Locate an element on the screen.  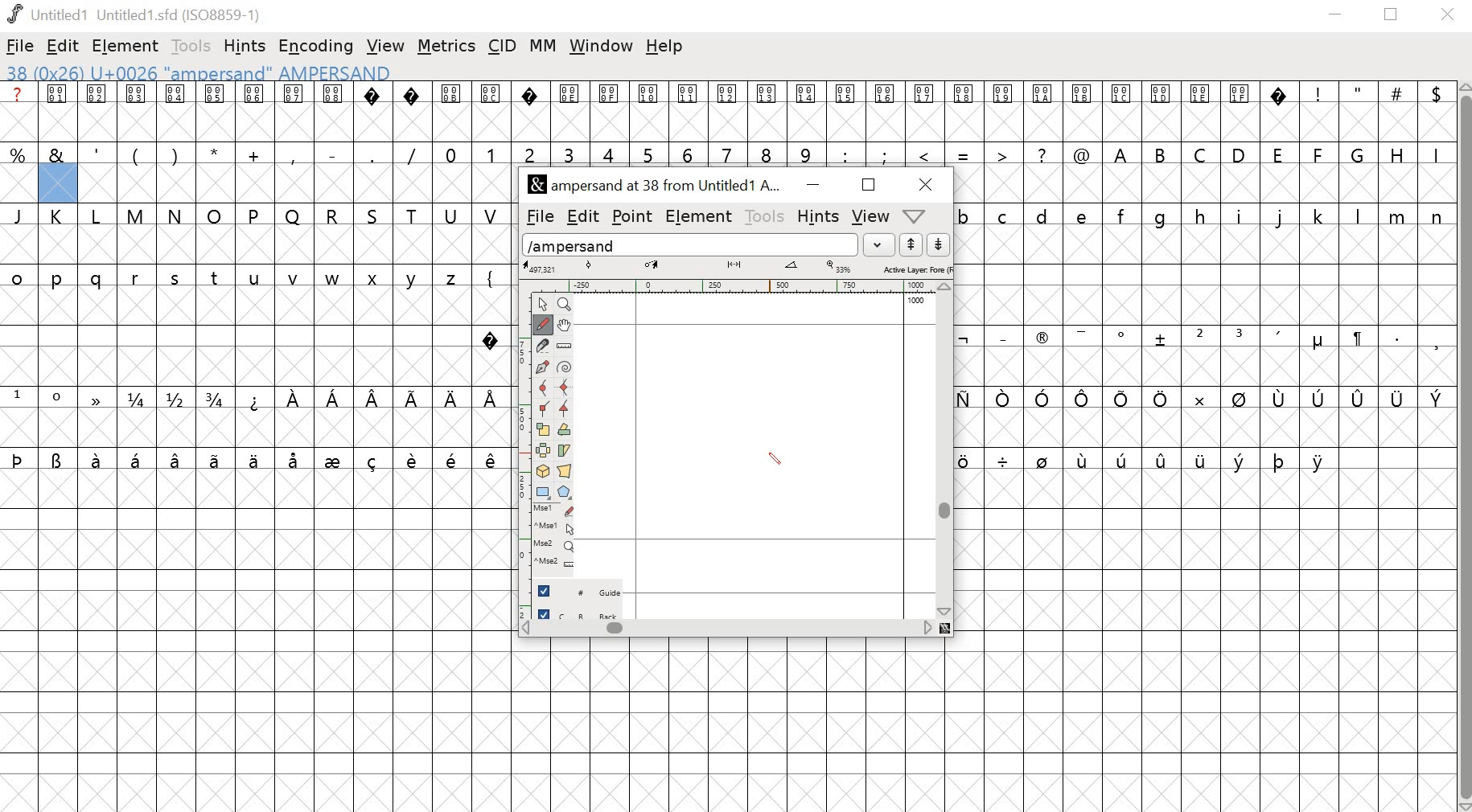
. is located at coordinates (371, 154).